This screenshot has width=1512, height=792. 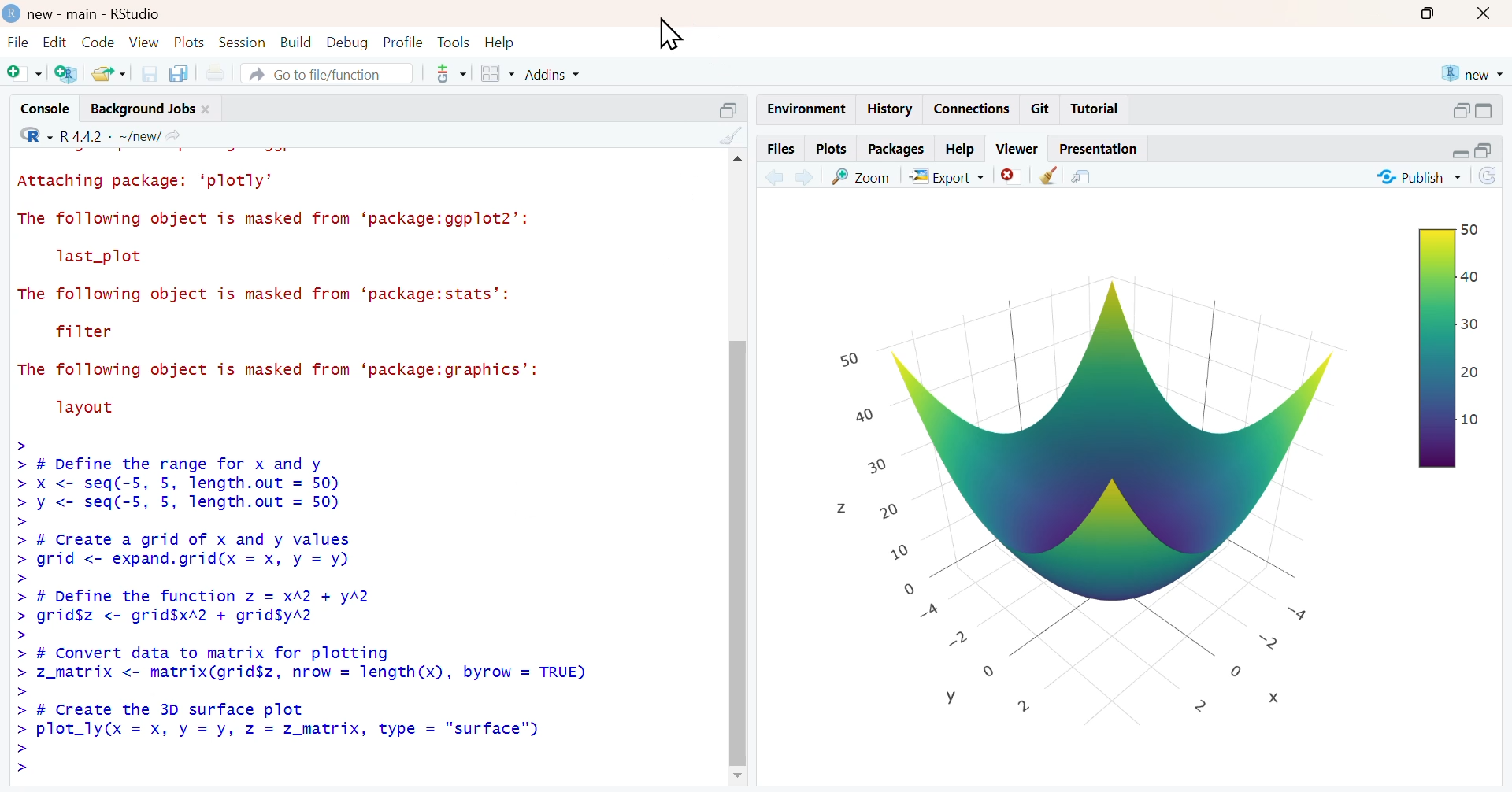 What do you see at coordinates (292, 371) in the screenshot?
I see `The following object is masked from ‘package:graphics’:` at bounding box center [292, 371].